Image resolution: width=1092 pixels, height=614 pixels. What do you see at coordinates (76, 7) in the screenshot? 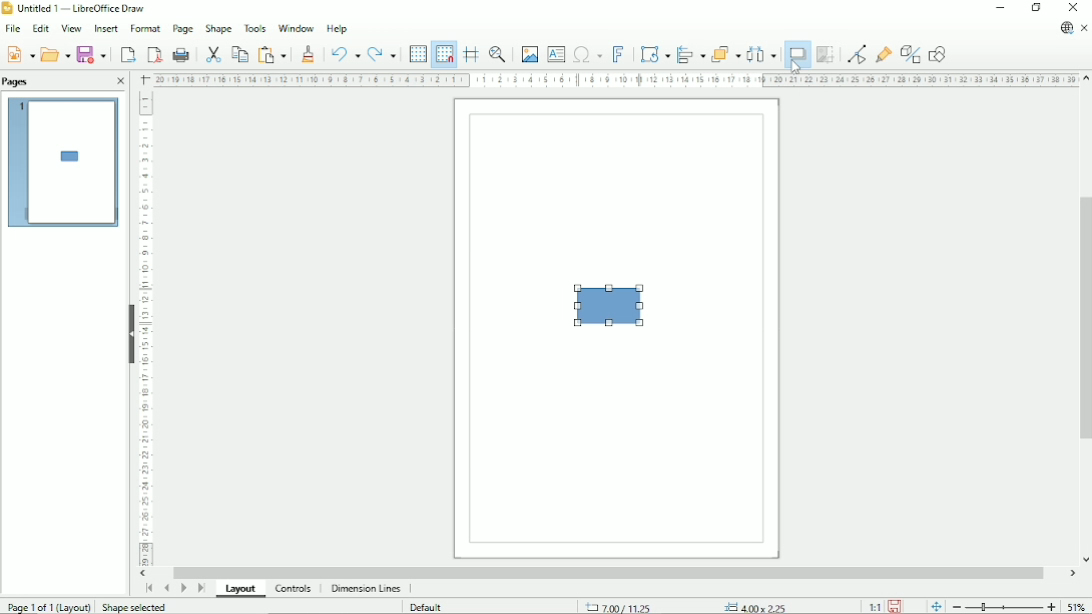
I see `Untitled 1 - LibreOfficeDraw` at bounding box center [76, 7].